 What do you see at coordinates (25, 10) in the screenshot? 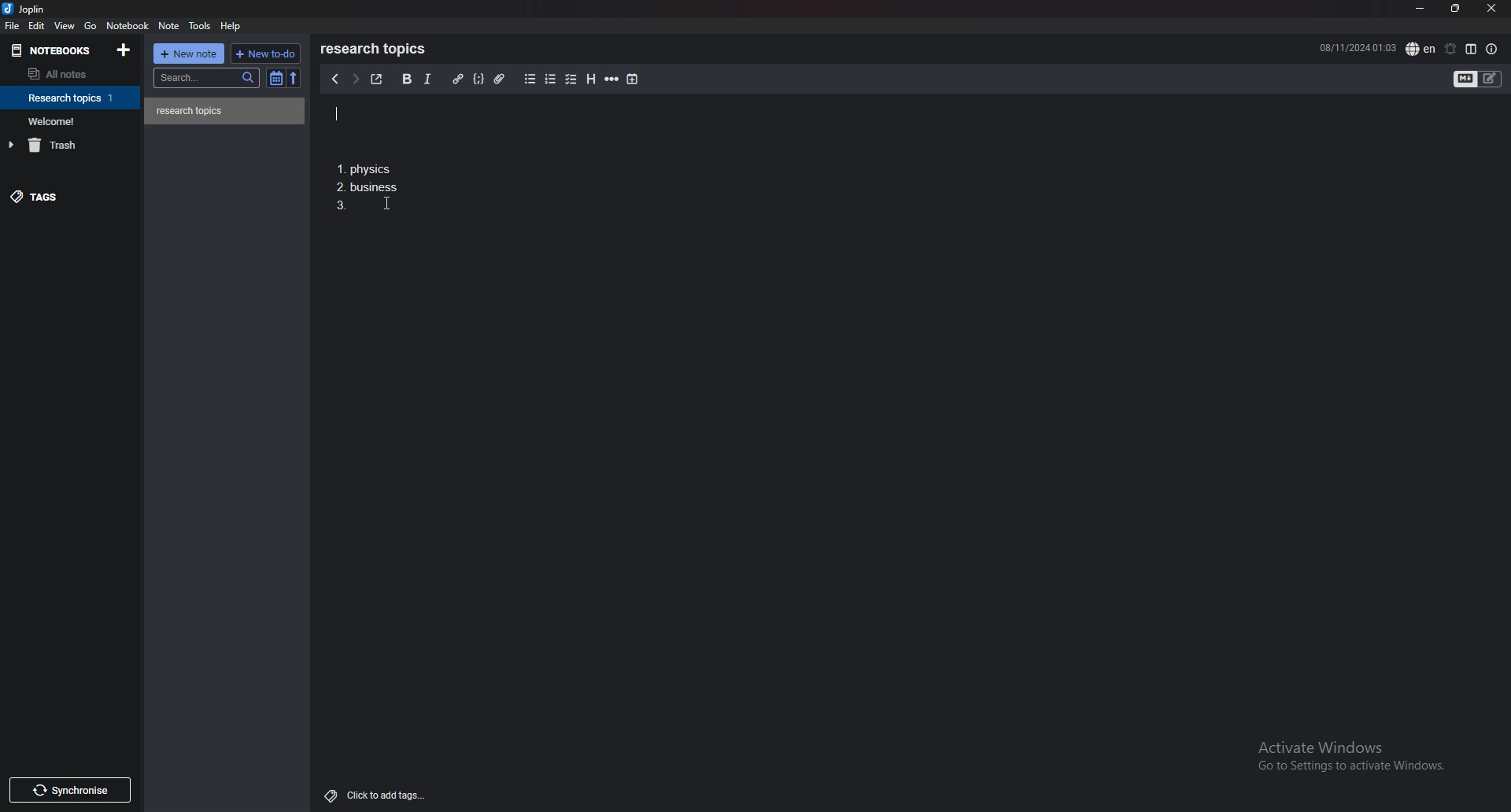
I see `joplin` at bounding box center [25, 10].